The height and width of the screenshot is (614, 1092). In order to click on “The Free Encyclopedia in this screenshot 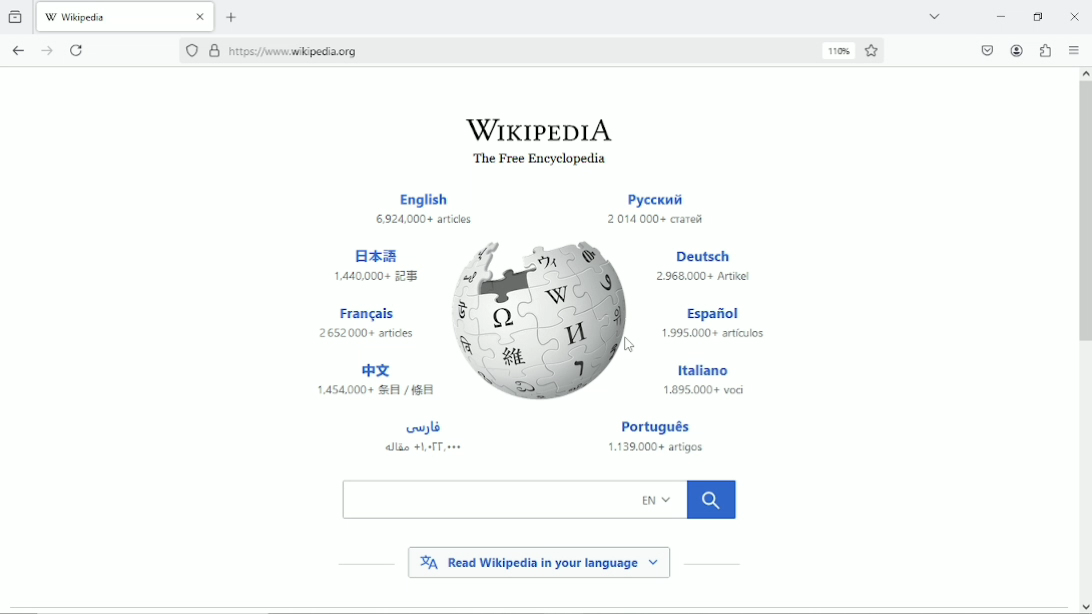, I will do `click(535, 160)`.